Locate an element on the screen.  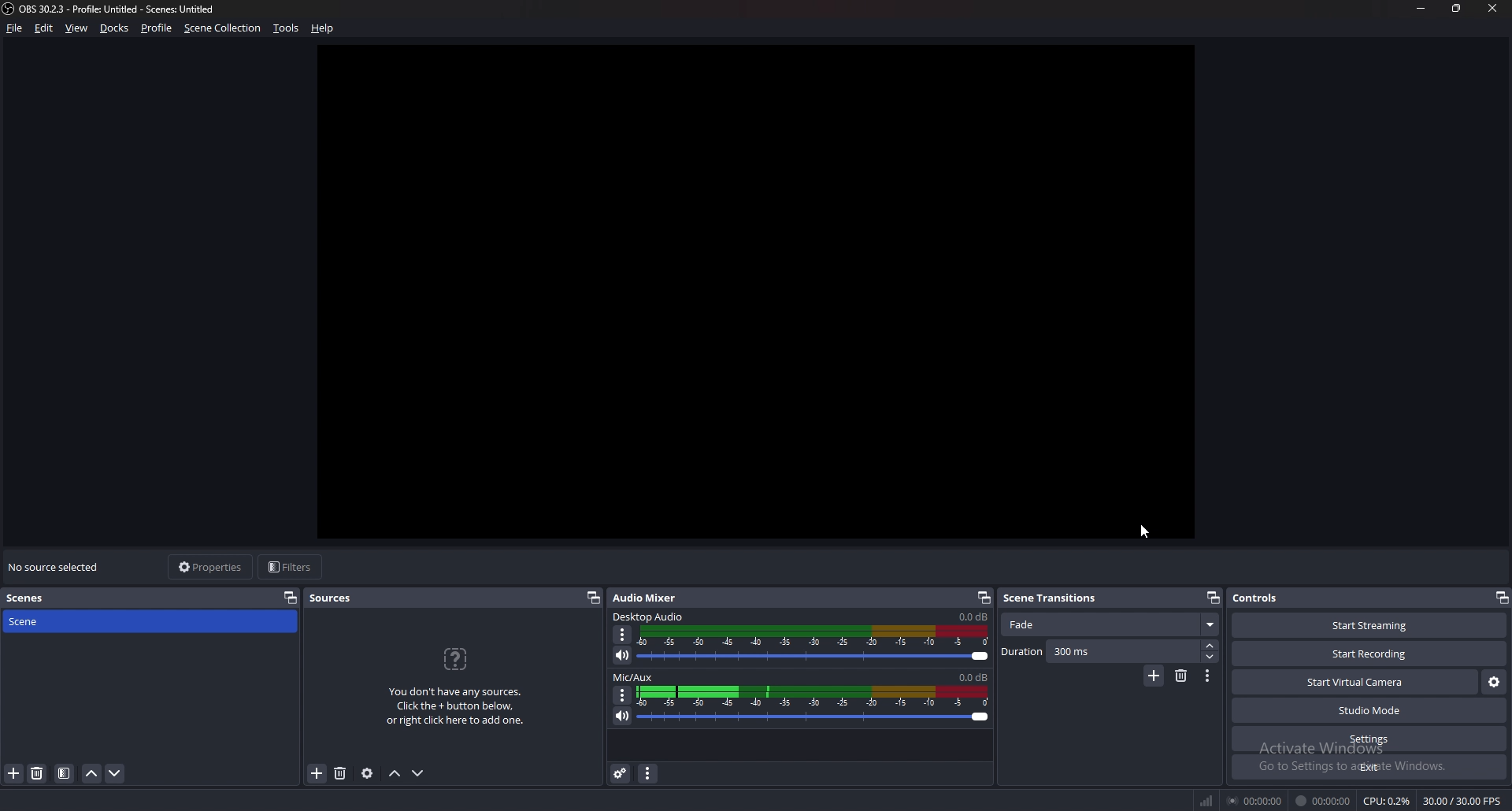
delete scene is located at coordinates (39, 774).